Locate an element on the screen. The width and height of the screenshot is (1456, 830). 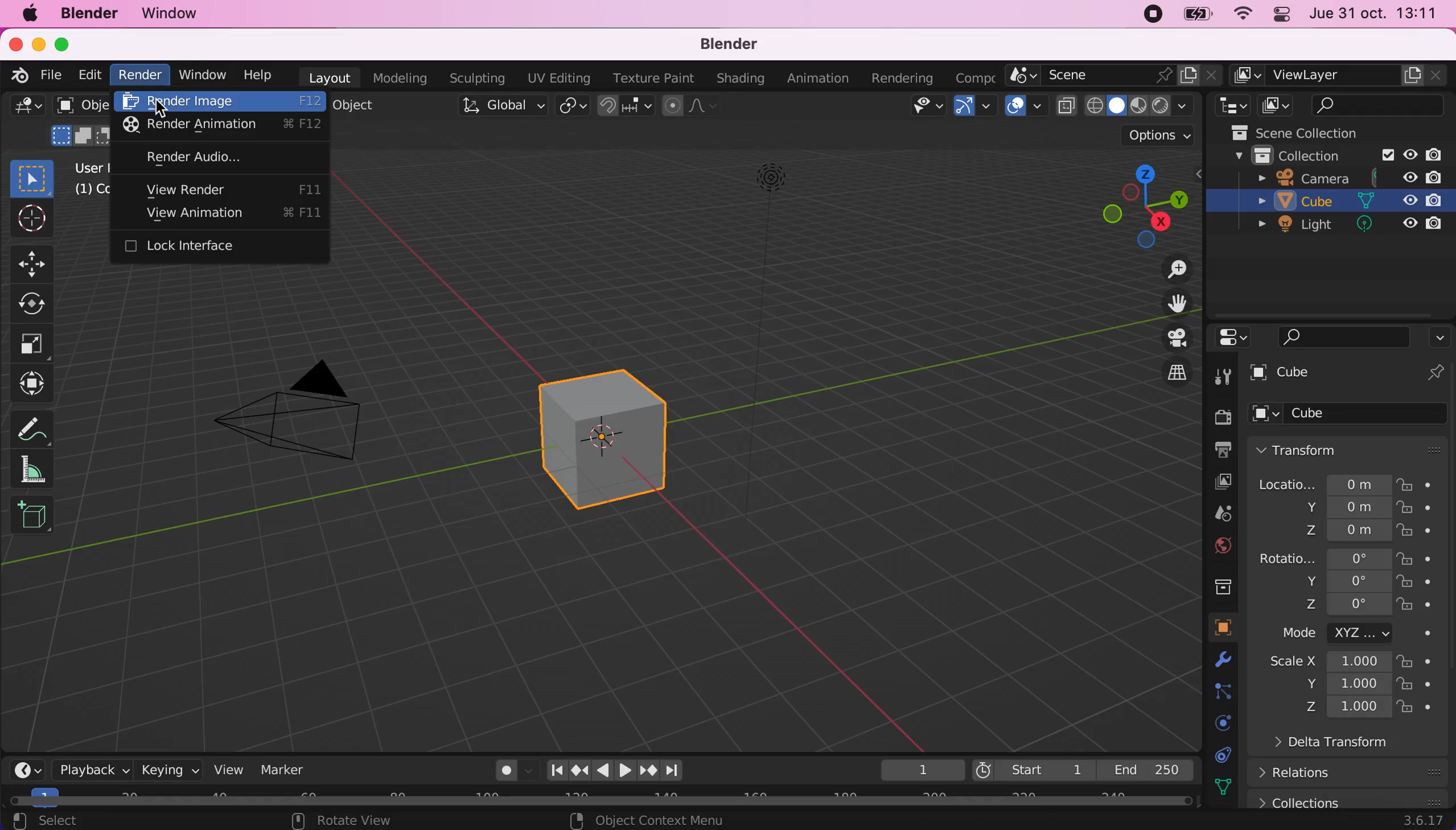
window is located at coordinates (184, 14).